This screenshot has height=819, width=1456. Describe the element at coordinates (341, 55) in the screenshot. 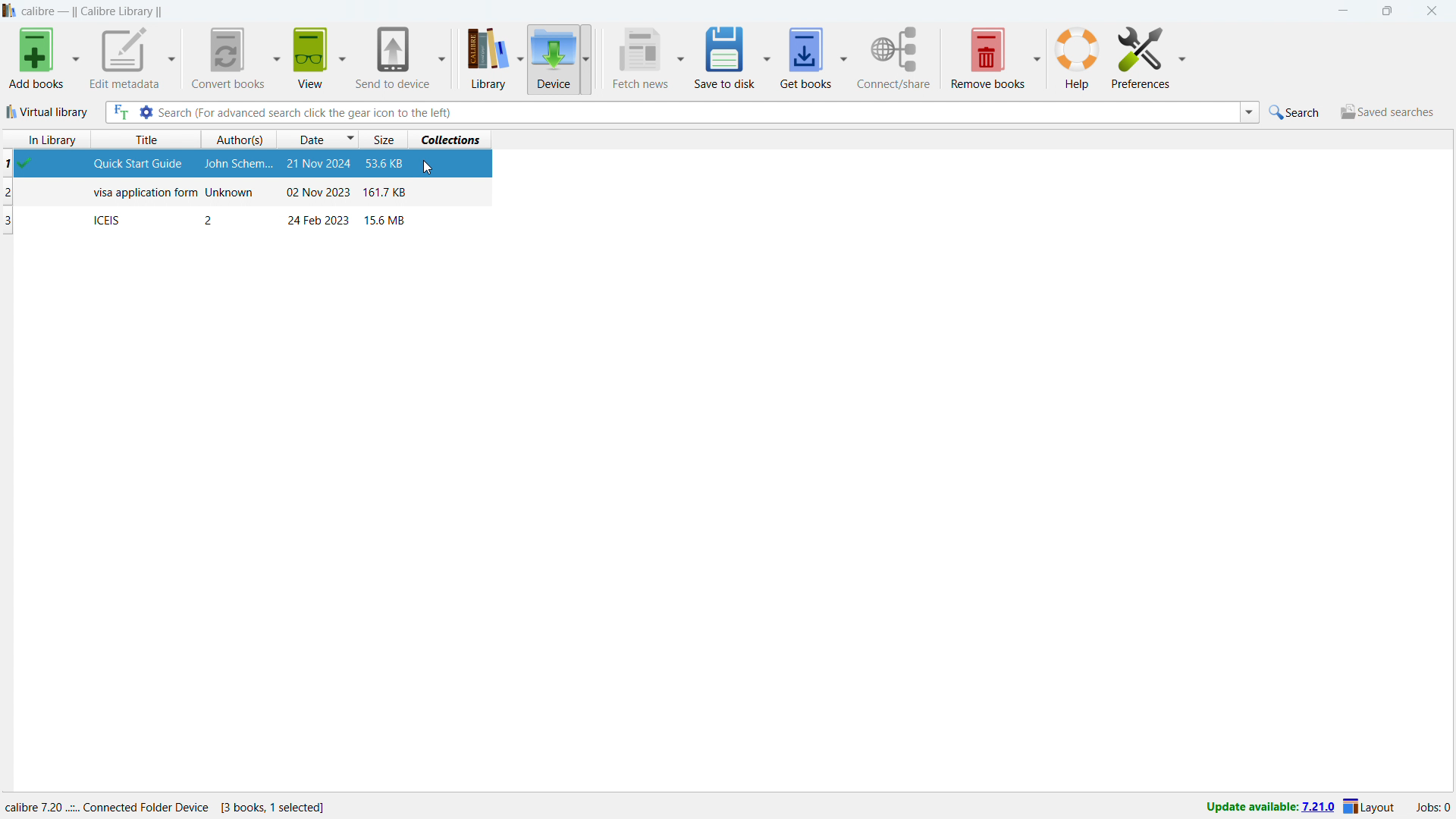

I see `view options` at that location.